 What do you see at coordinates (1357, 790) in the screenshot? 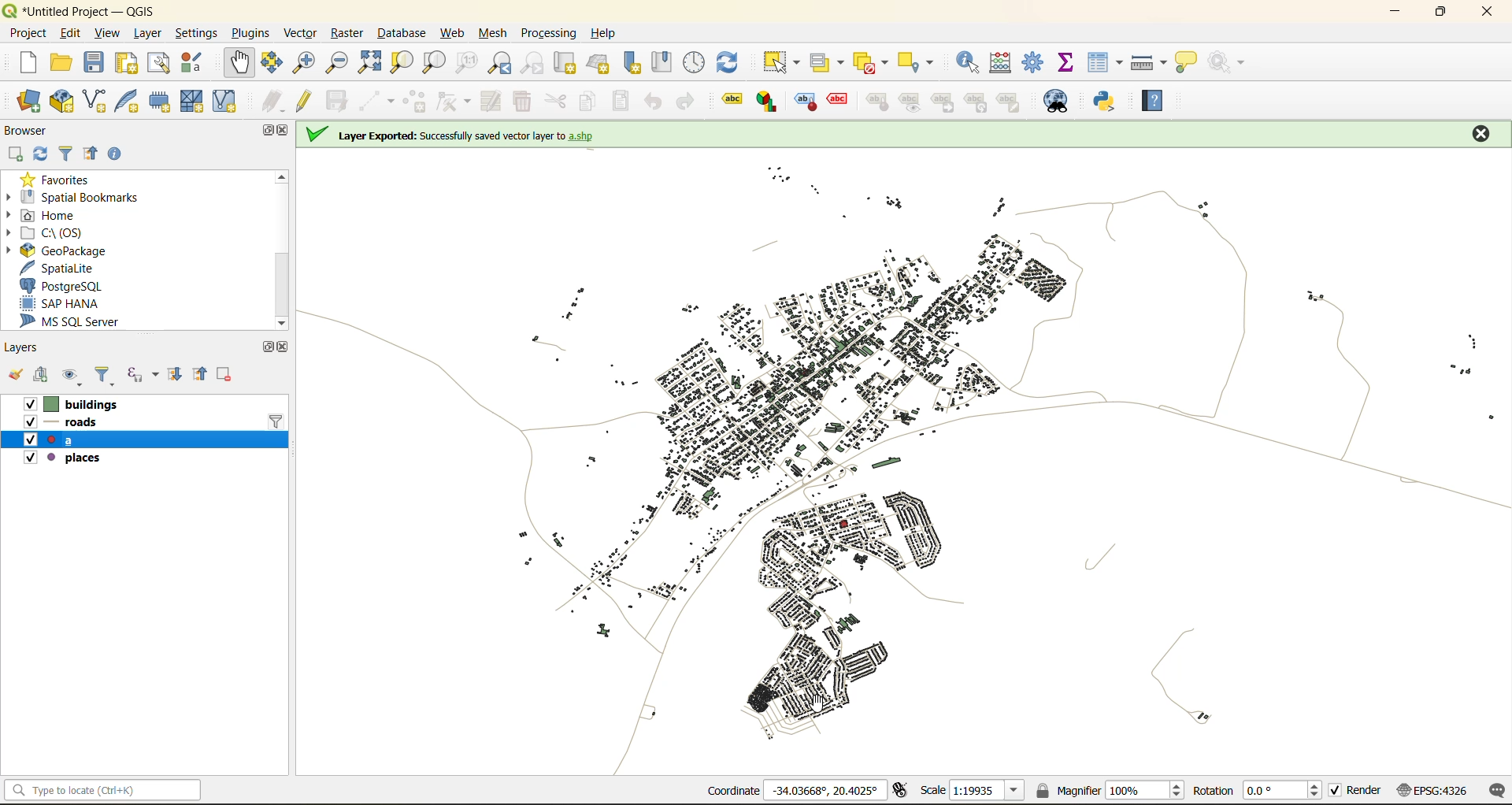
I see `render` at bounding box center [1357, 790].